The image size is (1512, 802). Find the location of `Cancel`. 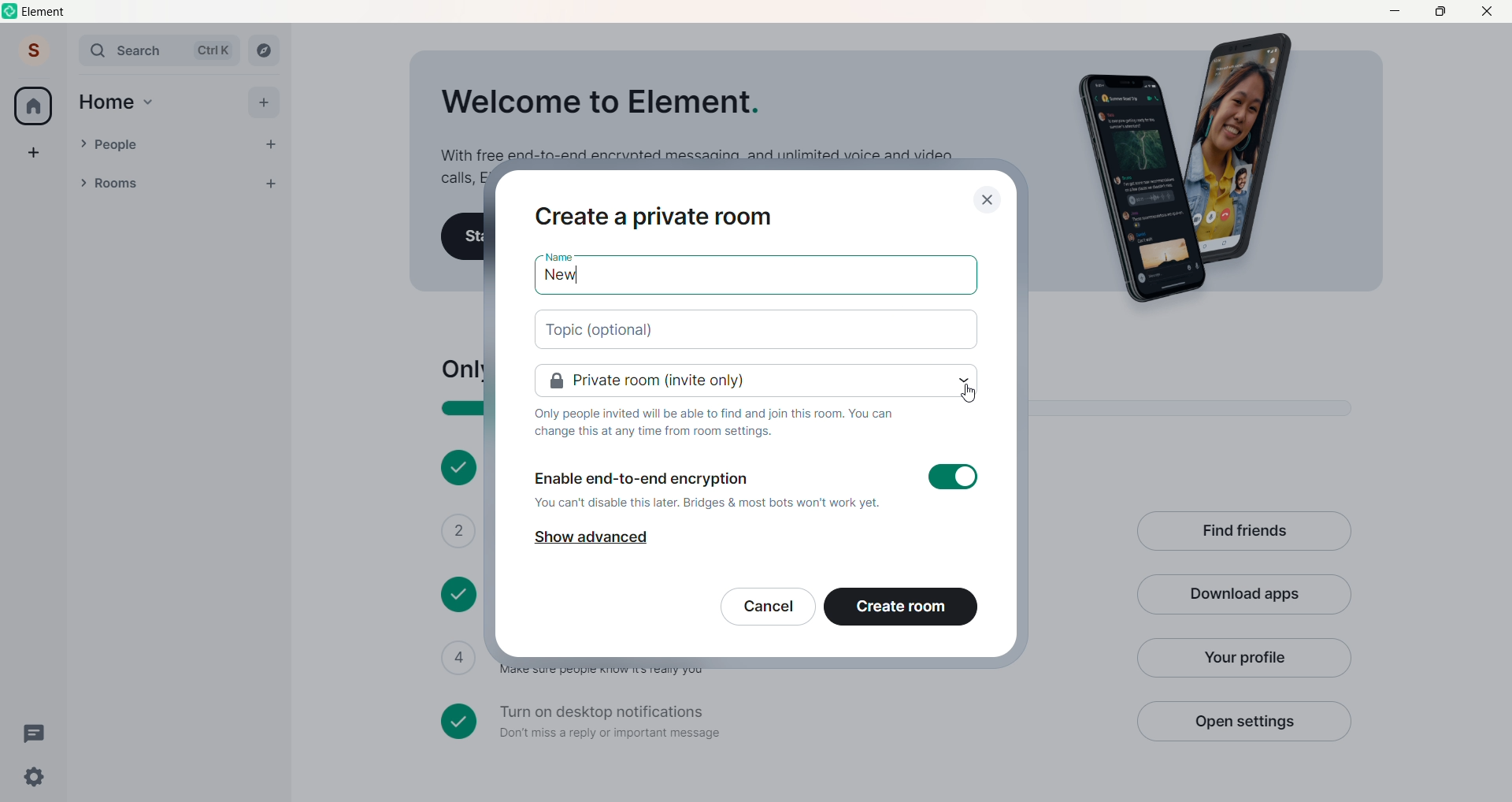

Cancel is located at coordinates (768, 607).